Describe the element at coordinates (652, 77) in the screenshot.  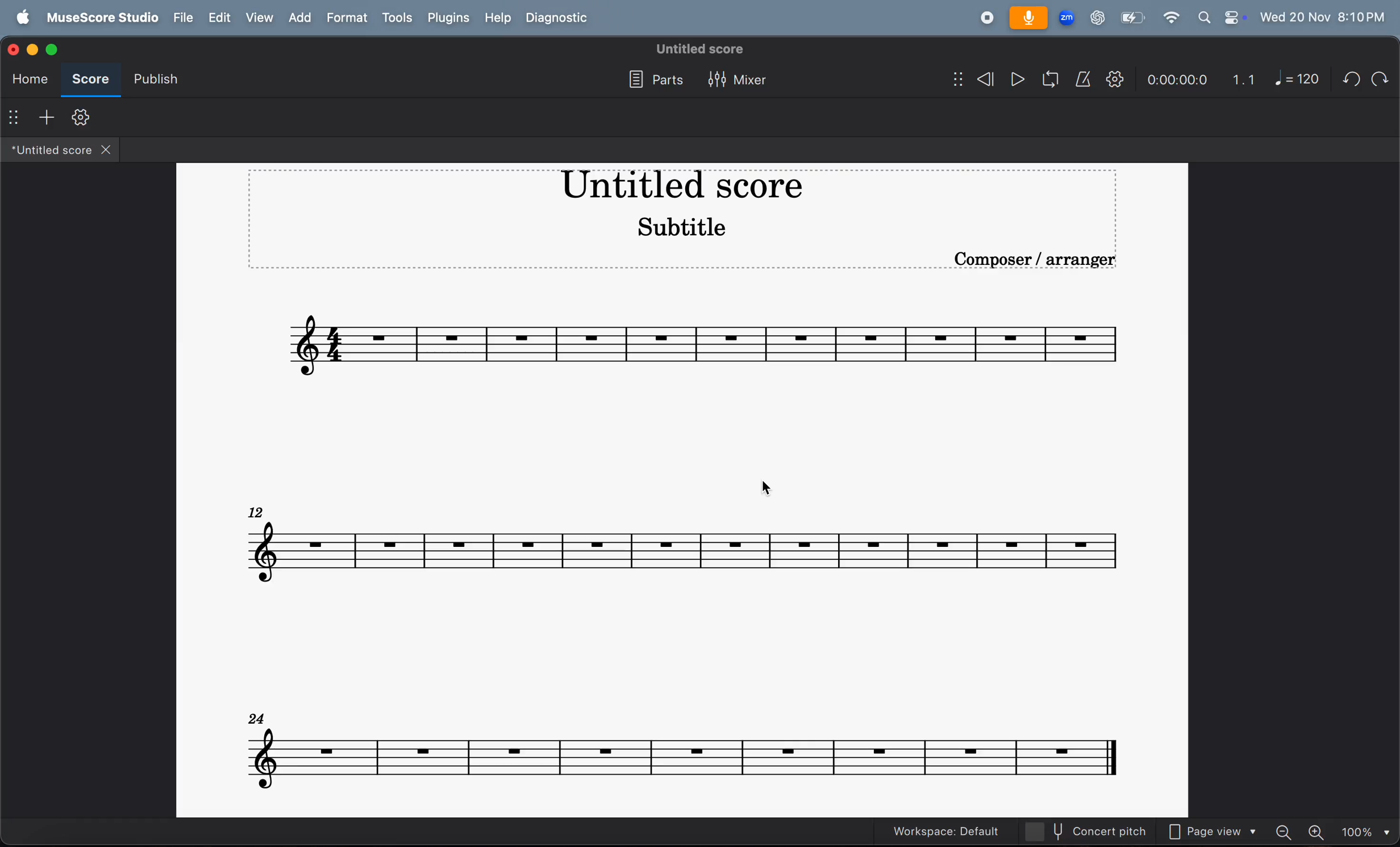
I see `parts` at that location.